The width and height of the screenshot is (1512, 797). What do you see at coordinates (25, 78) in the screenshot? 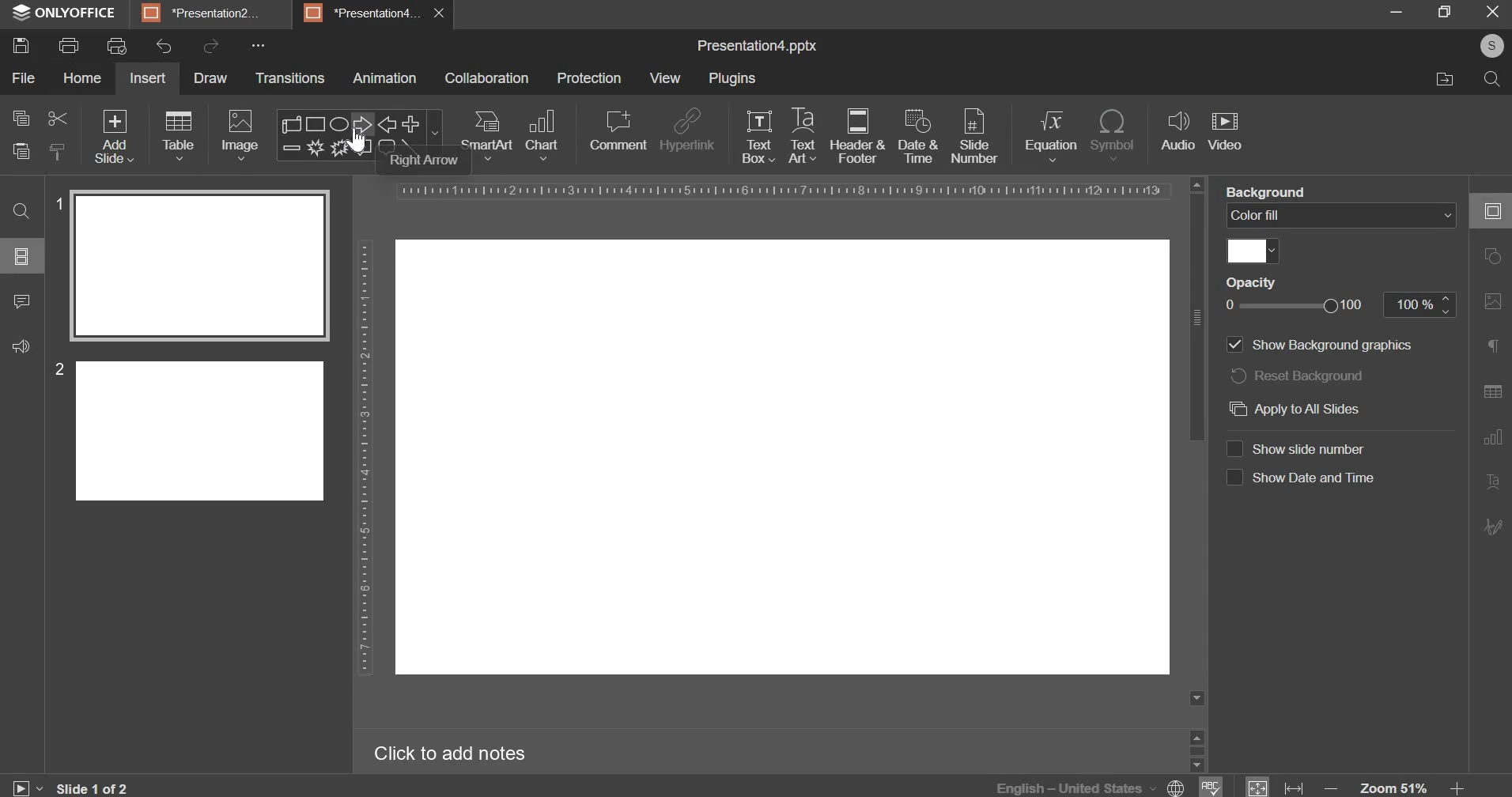
I see `file` at bounding box center [25, 78].